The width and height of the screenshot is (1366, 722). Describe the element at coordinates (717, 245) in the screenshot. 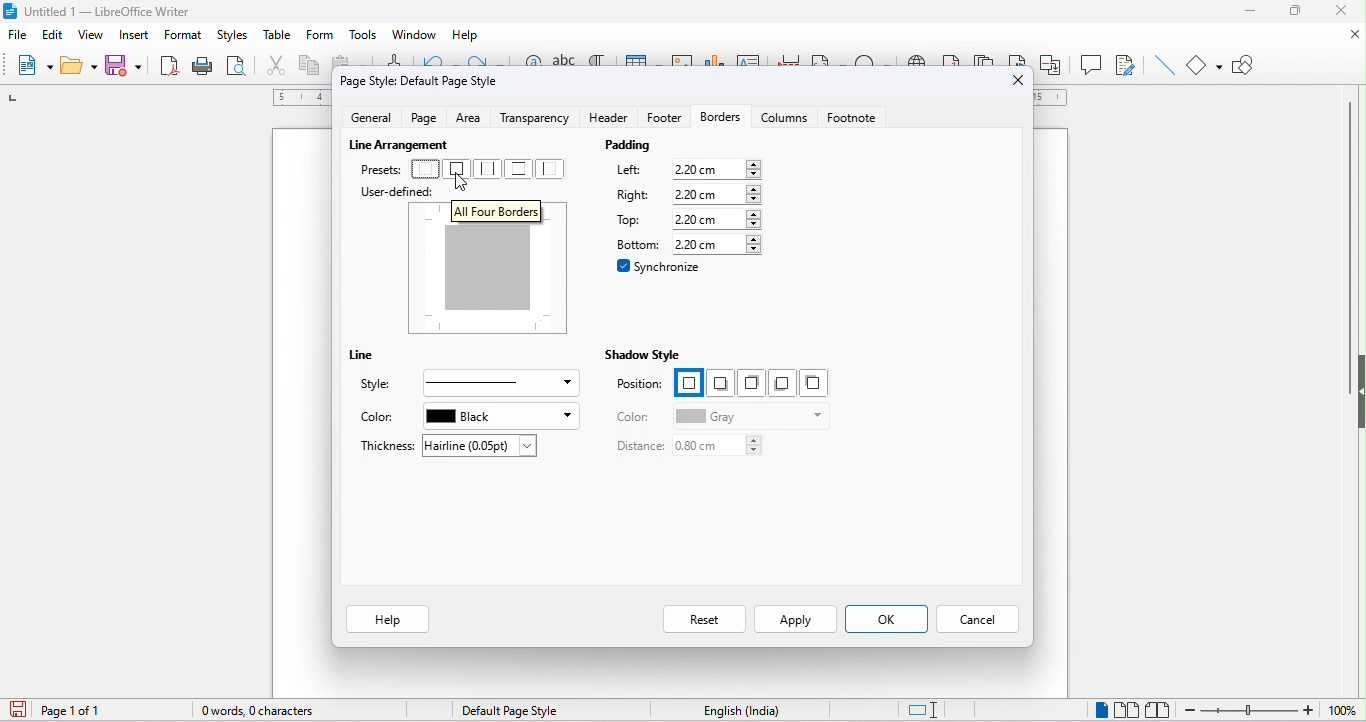

I see `2.20 cm` at that location.